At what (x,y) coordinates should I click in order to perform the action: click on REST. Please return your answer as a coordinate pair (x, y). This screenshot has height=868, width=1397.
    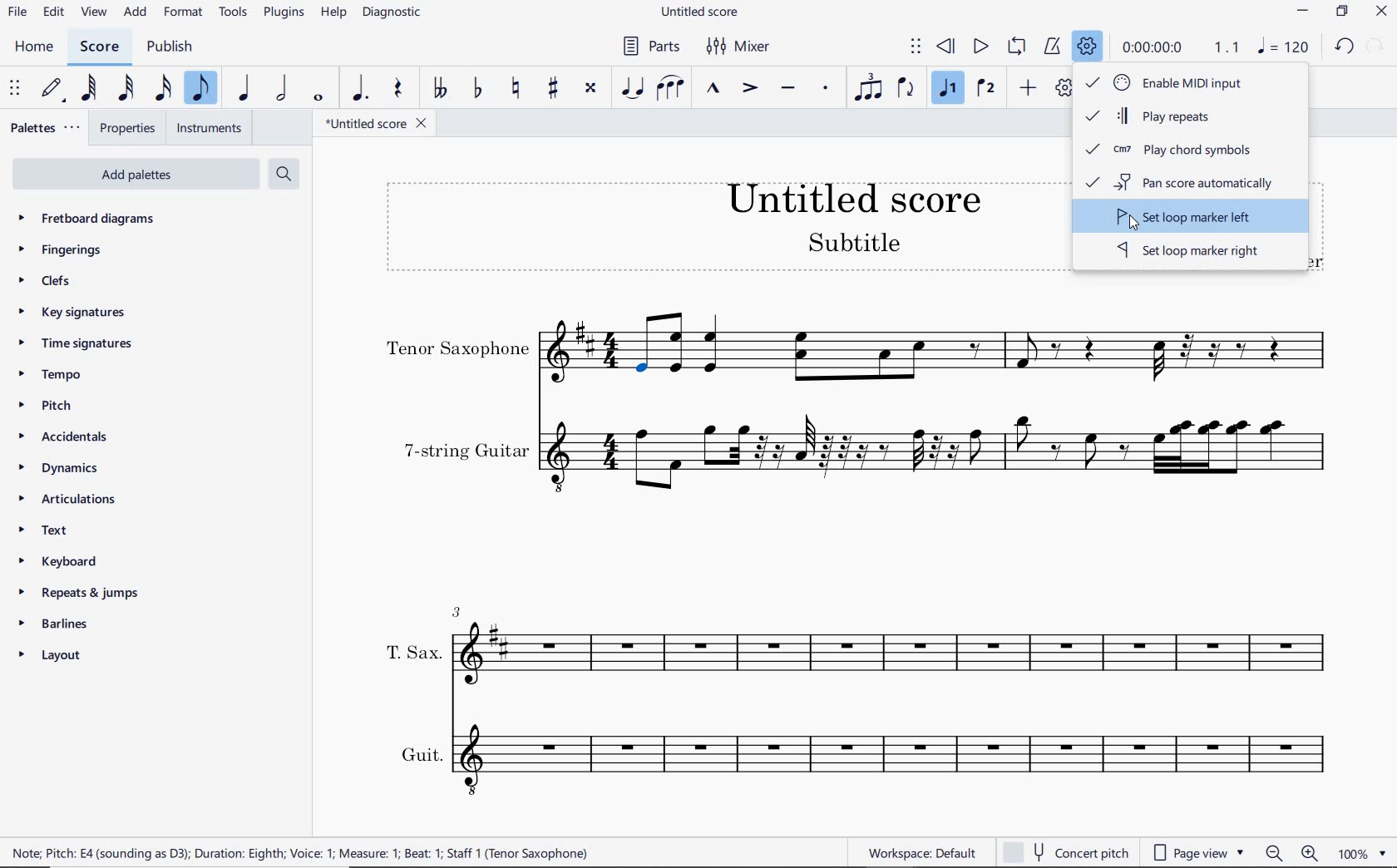
    Looking at the image, I should click on (396, 89).